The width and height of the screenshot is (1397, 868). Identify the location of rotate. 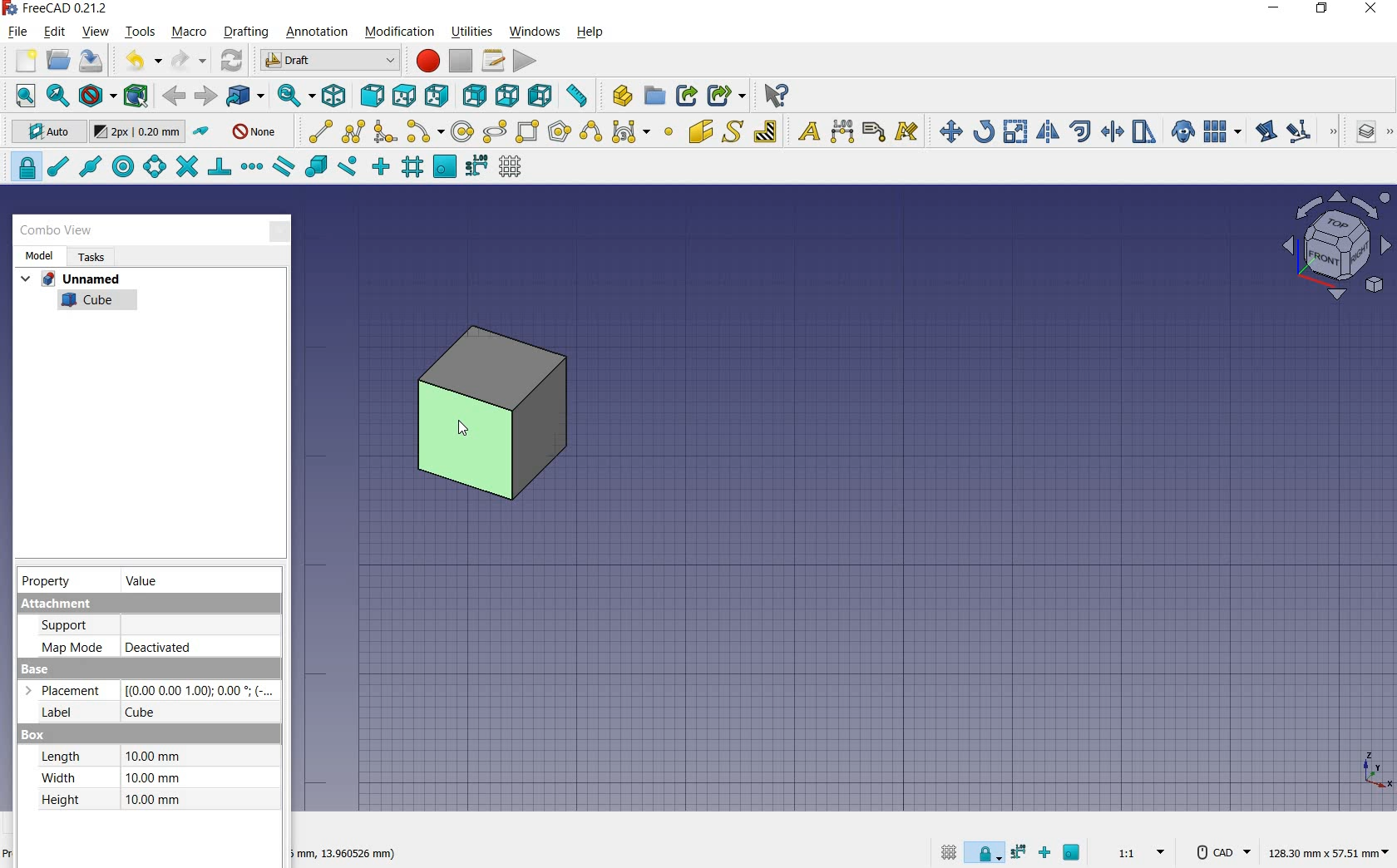
(985, 131).